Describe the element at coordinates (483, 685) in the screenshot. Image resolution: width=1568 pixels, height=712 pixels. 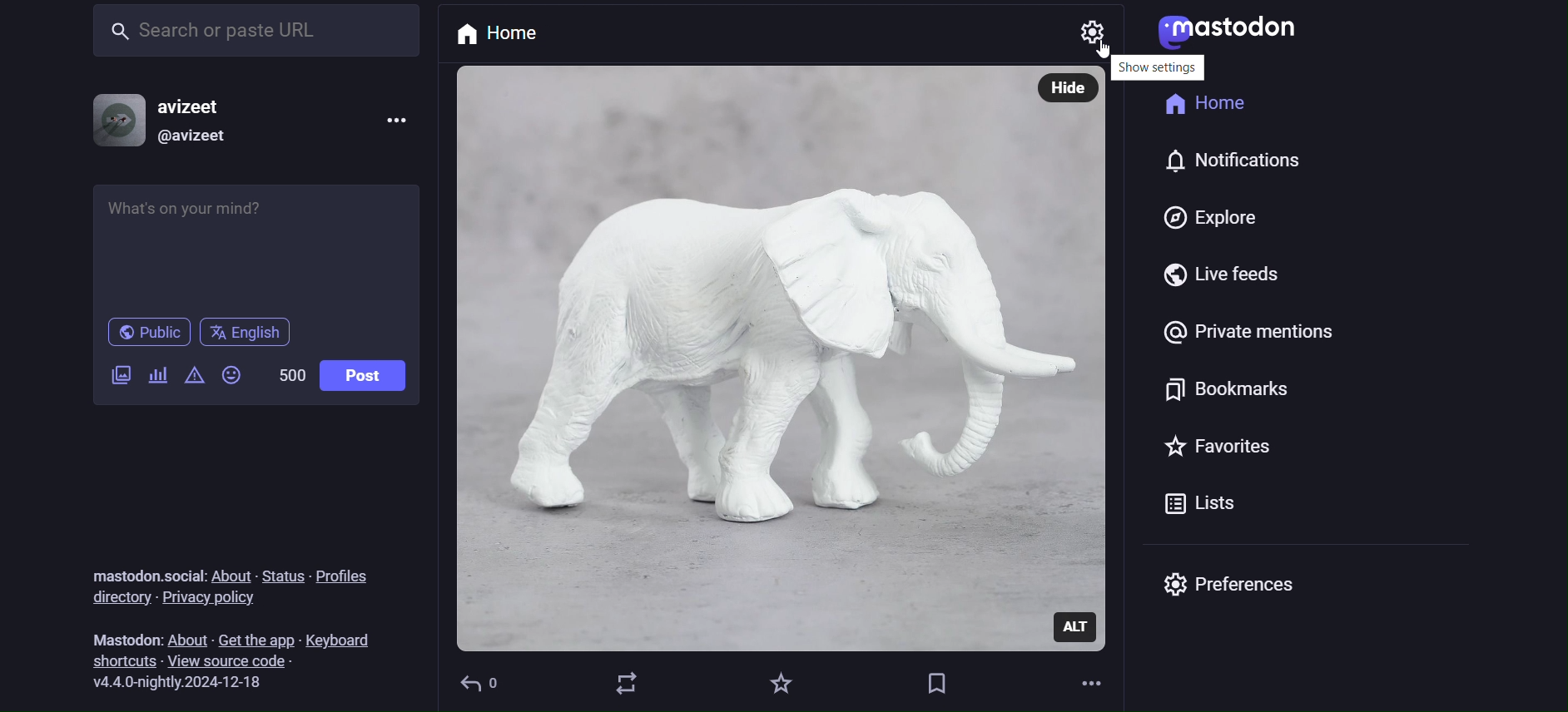
I see `reply` at that location.